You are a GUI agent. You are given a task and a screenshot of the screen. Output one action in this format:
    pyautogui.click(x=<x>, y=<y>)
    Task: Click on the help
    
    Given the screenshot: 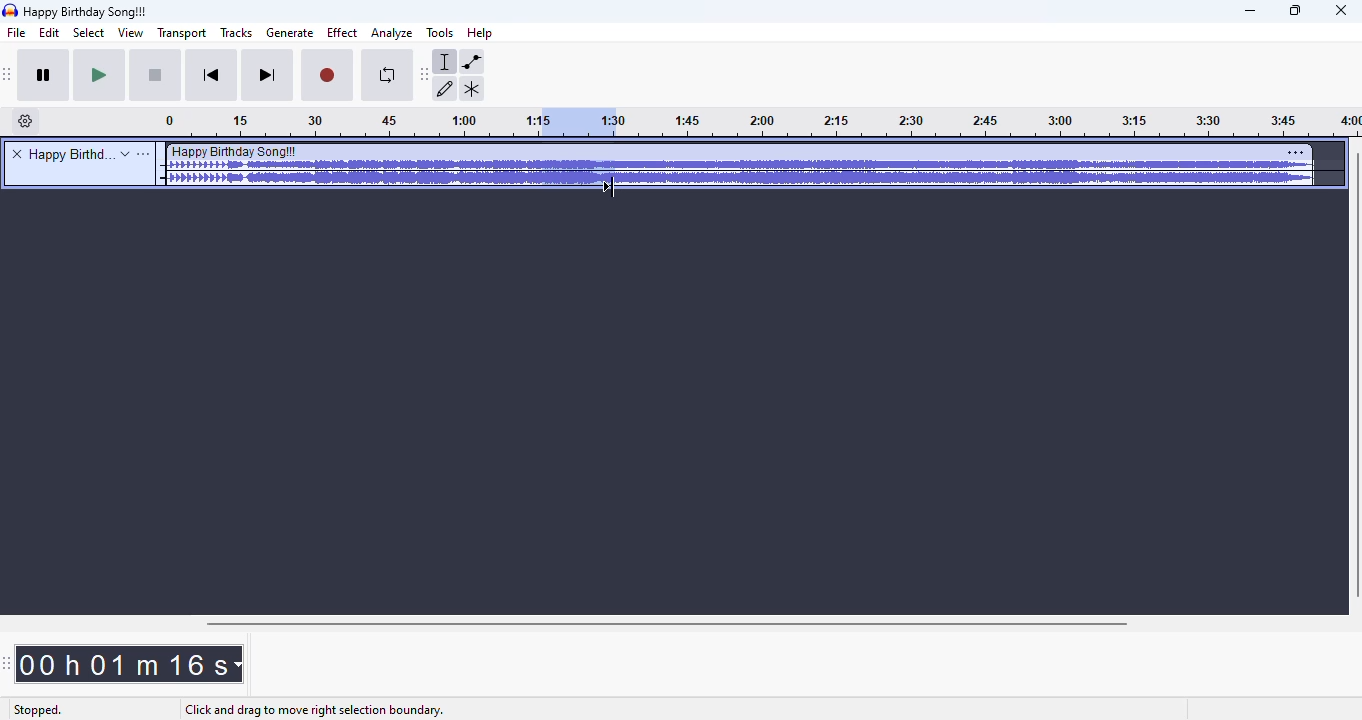 What is the action you would take?
    pyautogui.click(x=481, y=32)
    